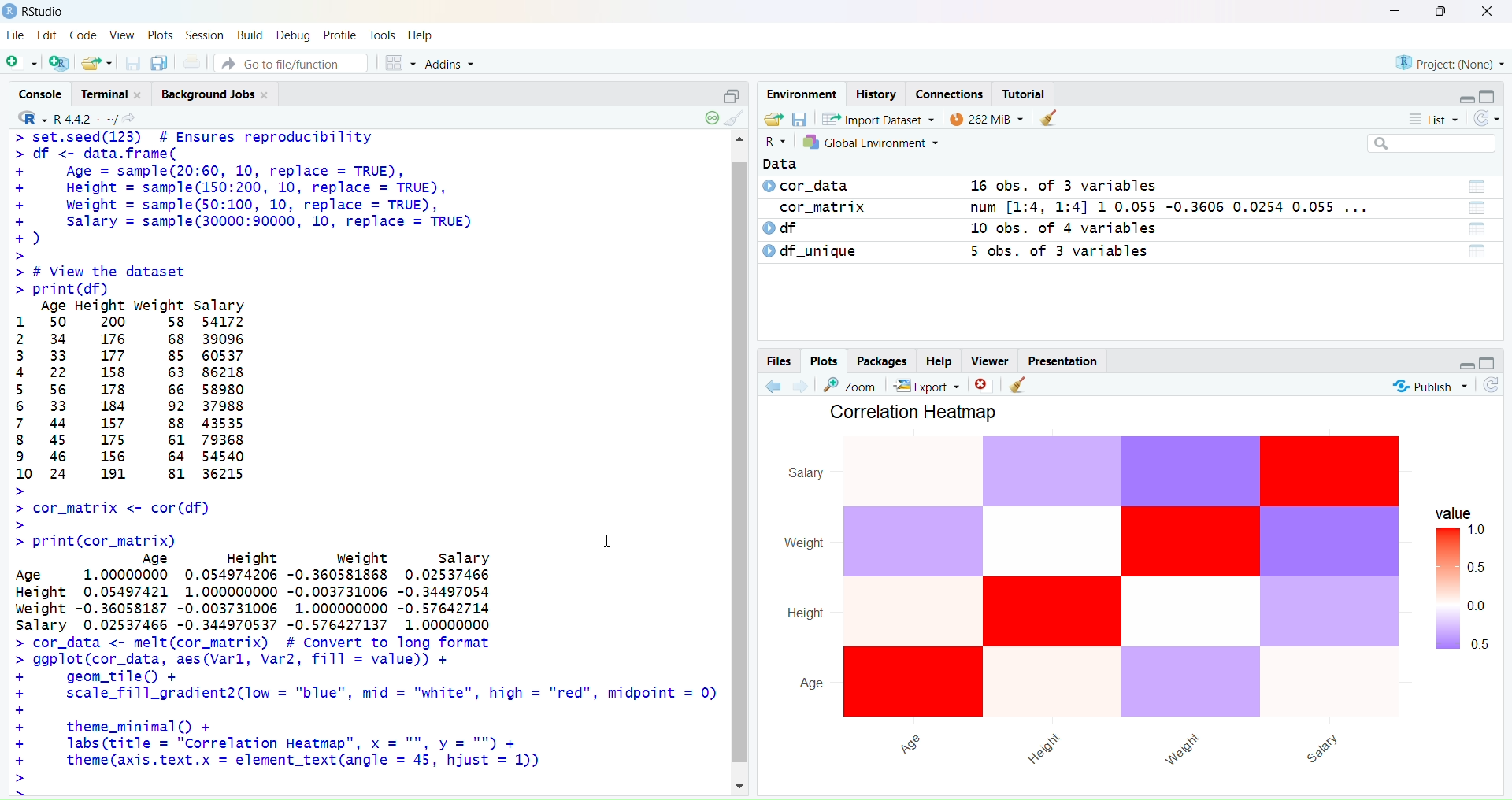  What do you see at coordinates (710, 117) in the screenshot?
I see `Session suspend timeout passed` at bounding box center [710, 117].